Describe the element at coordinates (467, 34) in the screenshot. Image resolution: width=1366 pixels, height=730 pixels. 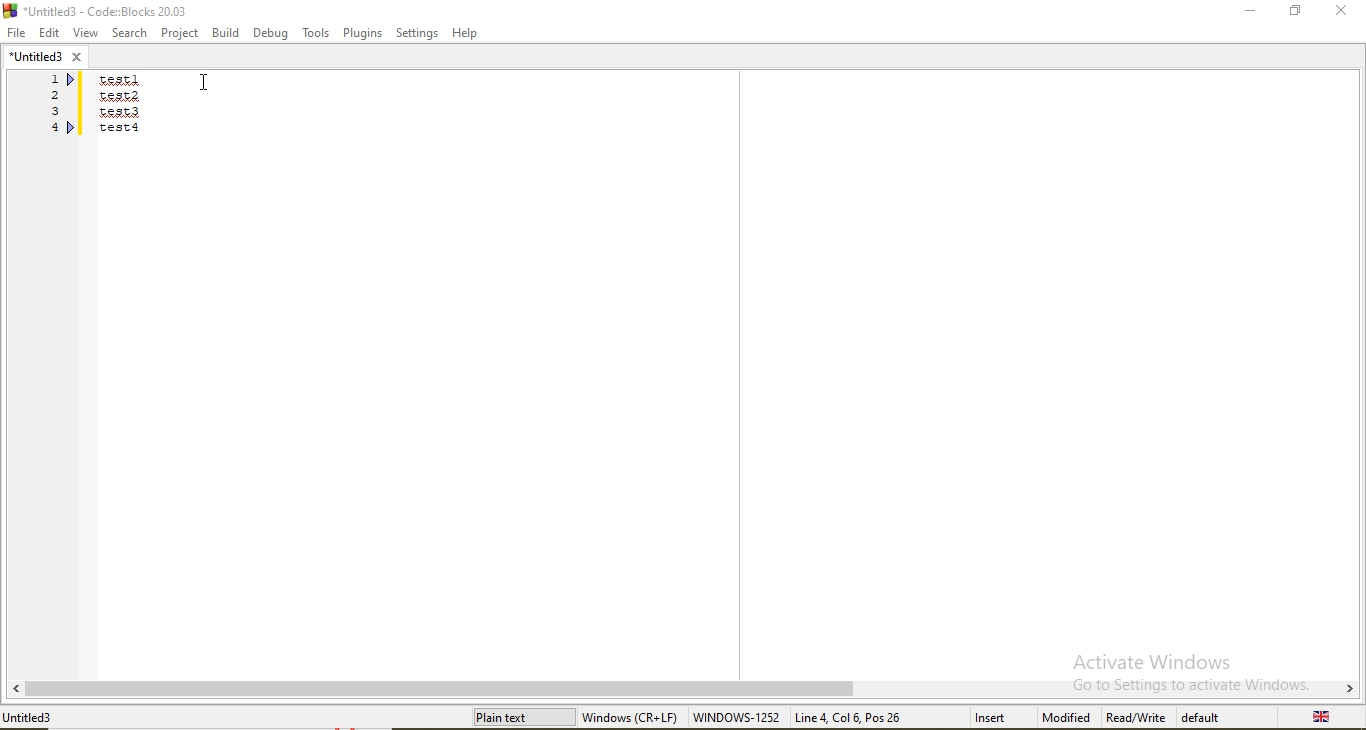
I see `Help` at that location.